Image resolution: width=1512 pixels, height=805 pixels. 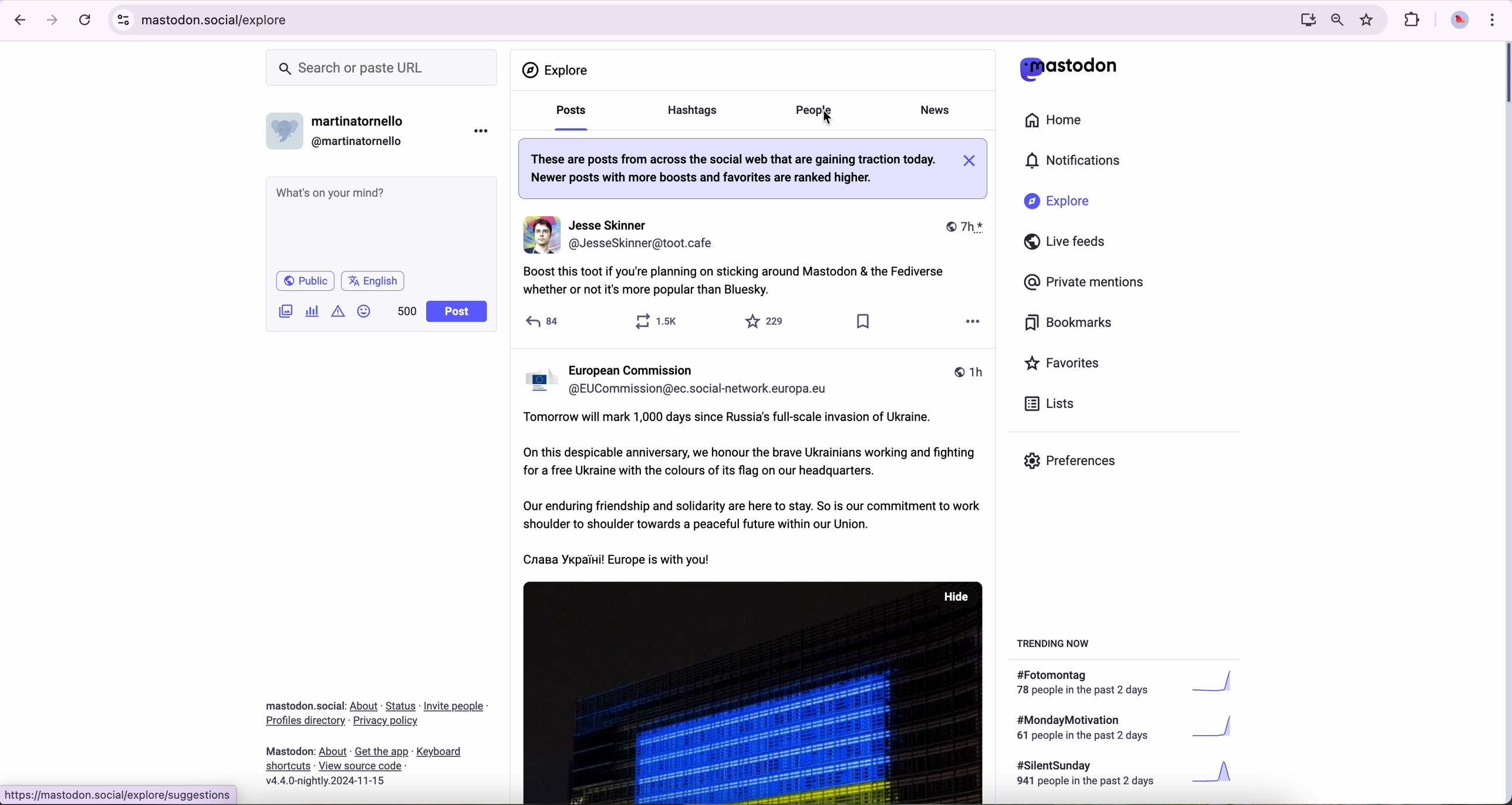 I want to click on #silentsunday, so click(x=1128, y=775).